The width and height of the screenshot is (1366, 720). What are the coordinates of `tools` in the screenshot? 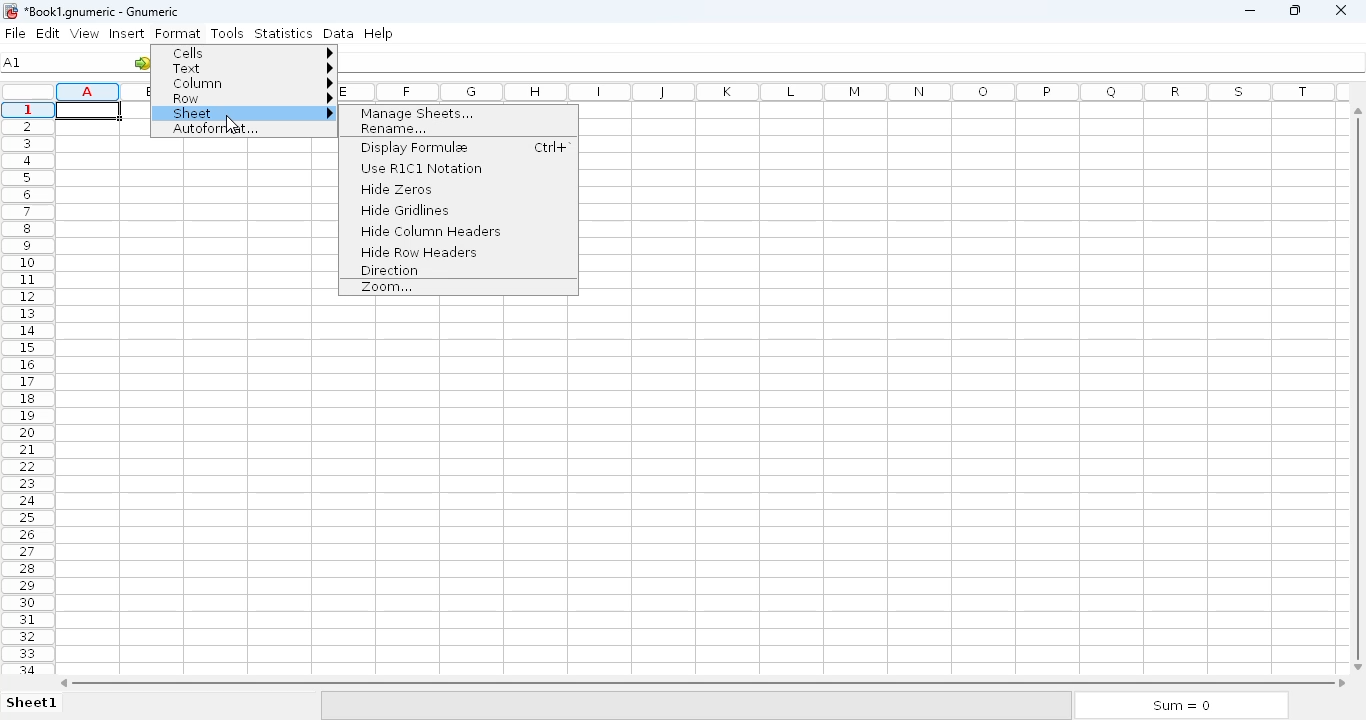 It's located at (228, 33).